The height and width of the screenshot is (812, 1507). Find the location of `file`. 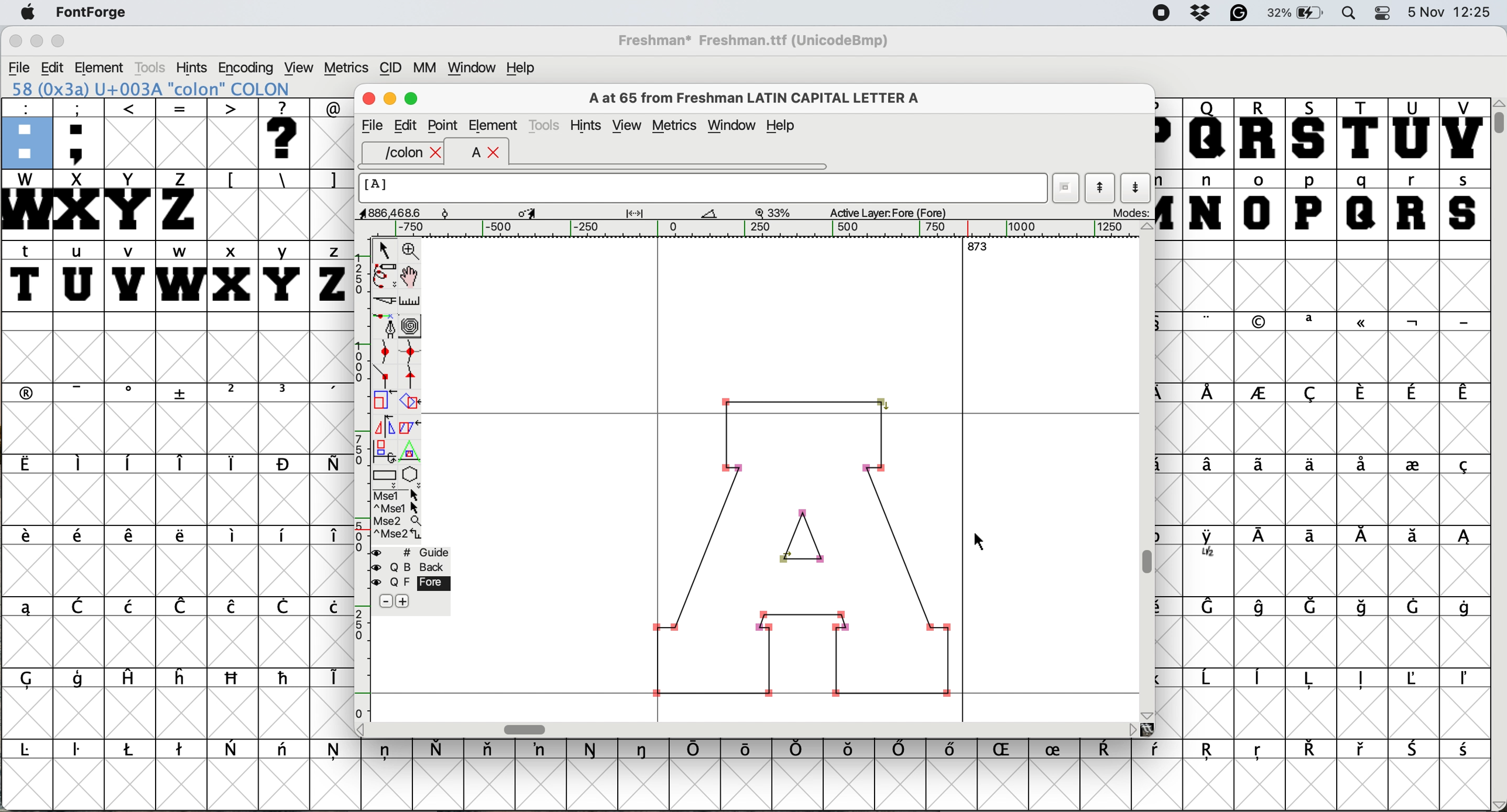

file is located at coordinates (18, 66).